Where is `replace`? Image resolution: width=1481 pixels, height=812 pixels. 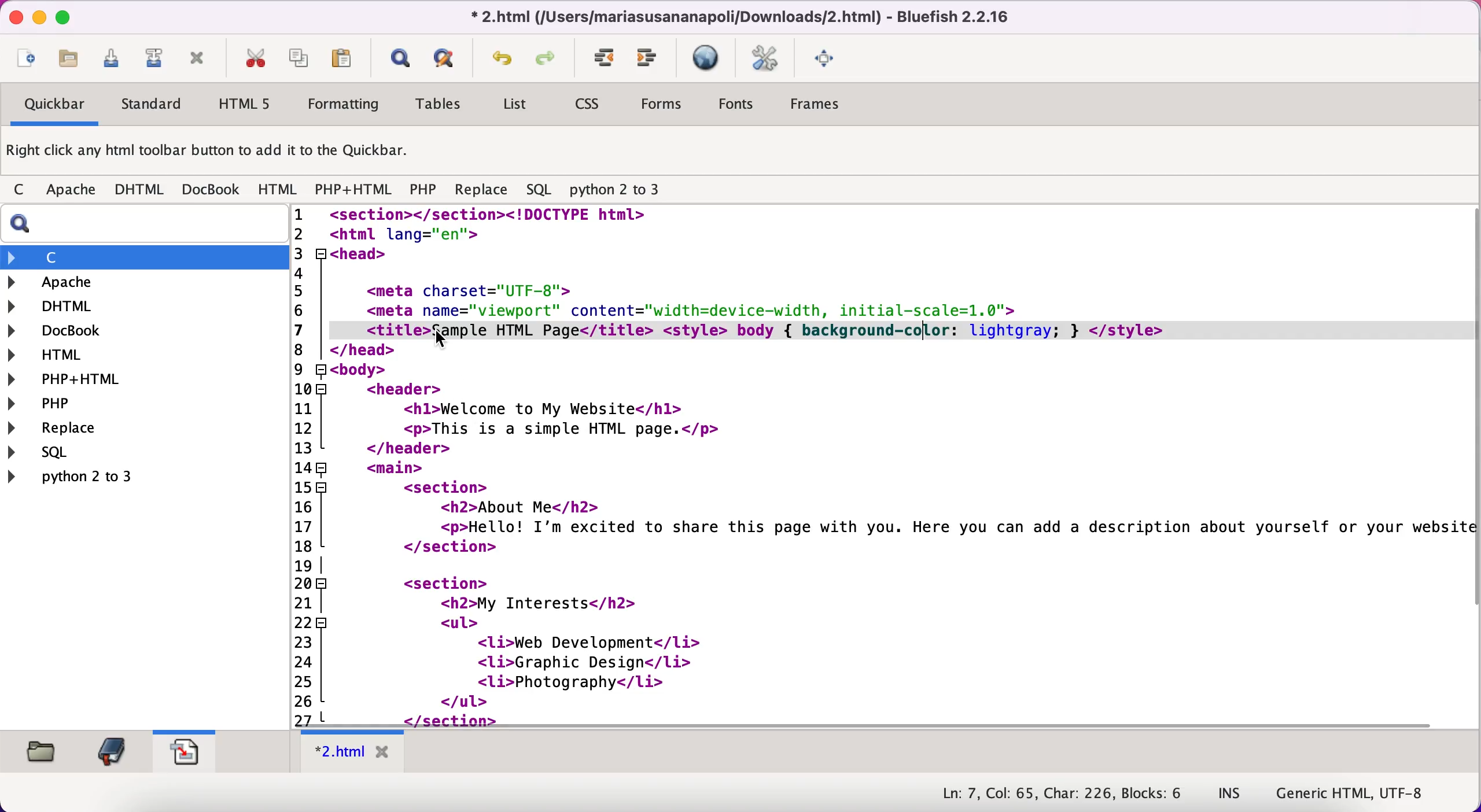 replace is located at coordinates (481, 193).